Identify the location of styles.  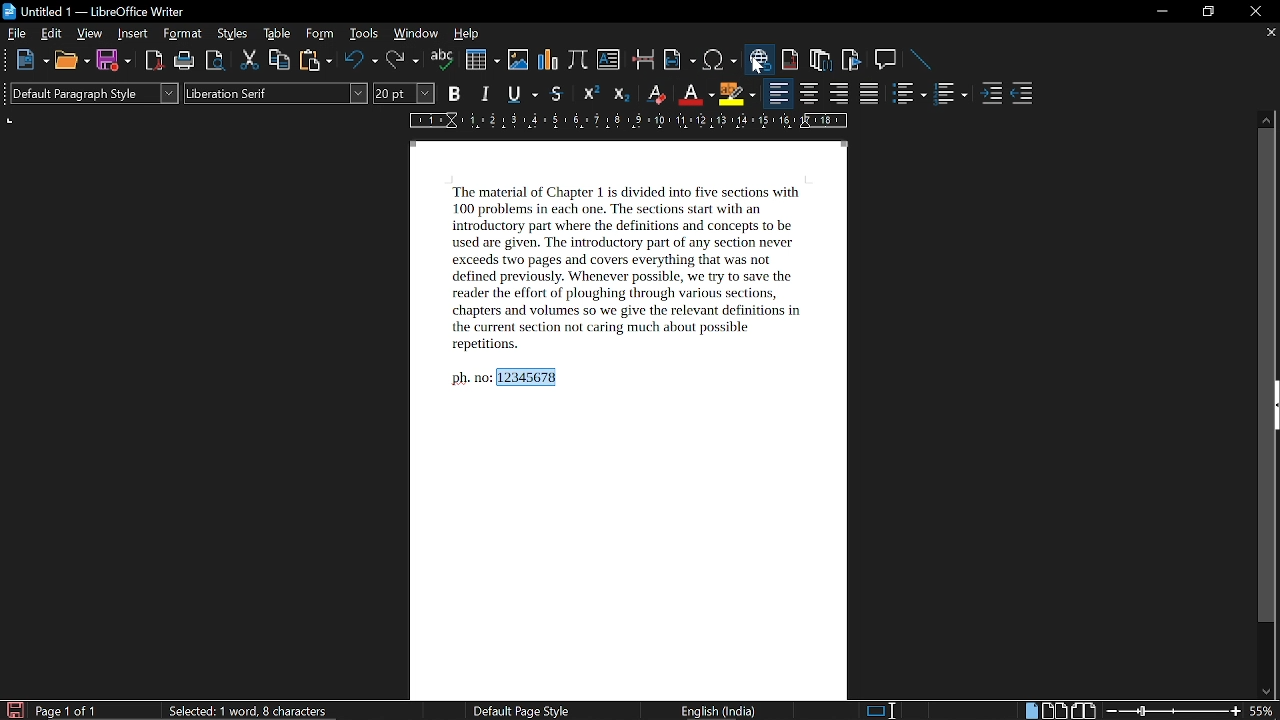
(234, 34).